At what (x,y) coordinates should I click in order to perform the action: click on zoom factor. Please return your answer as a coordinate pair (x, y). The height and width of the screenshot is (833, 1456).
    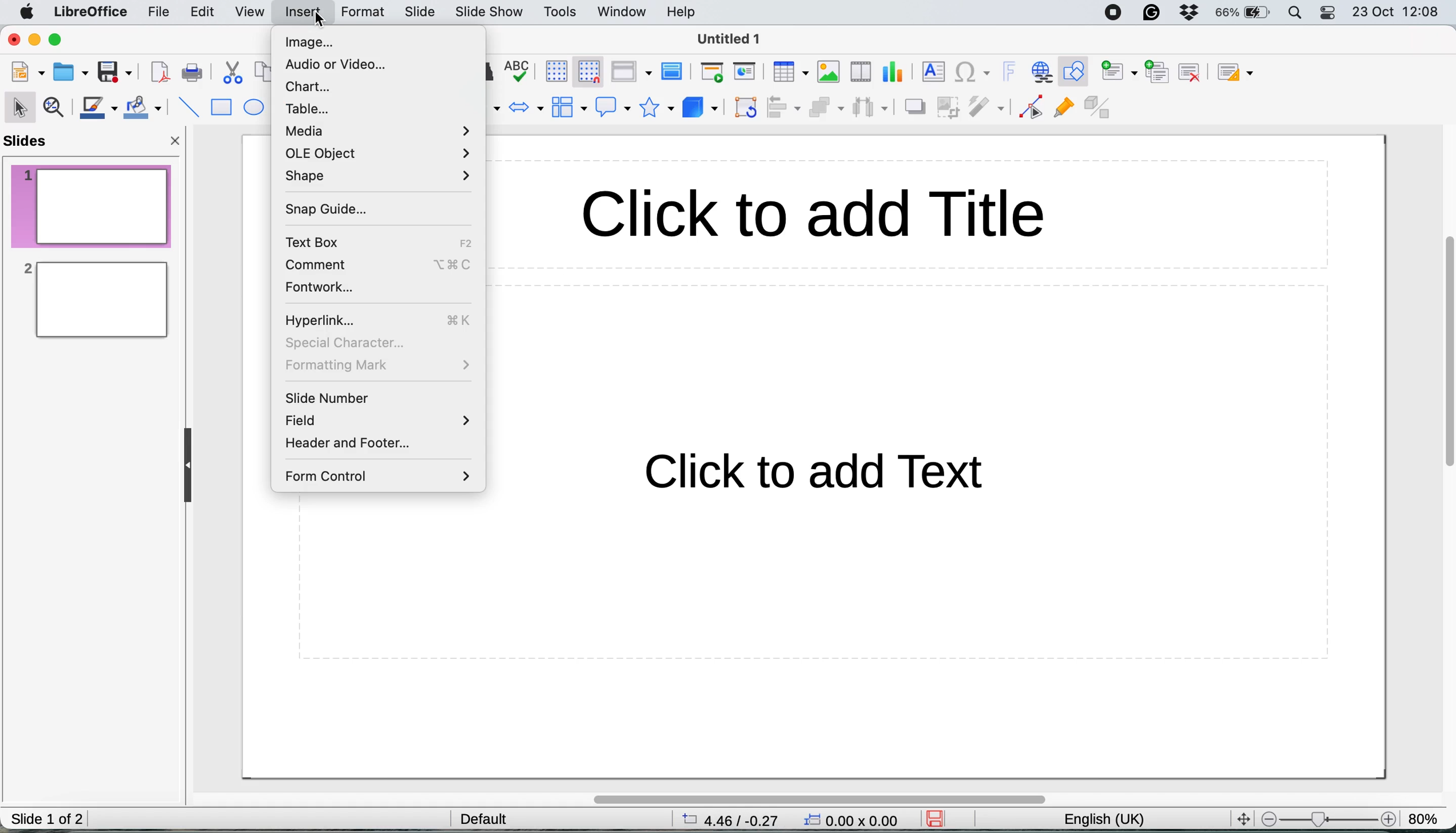
    Looking at the image, I should click on (1327, 819).